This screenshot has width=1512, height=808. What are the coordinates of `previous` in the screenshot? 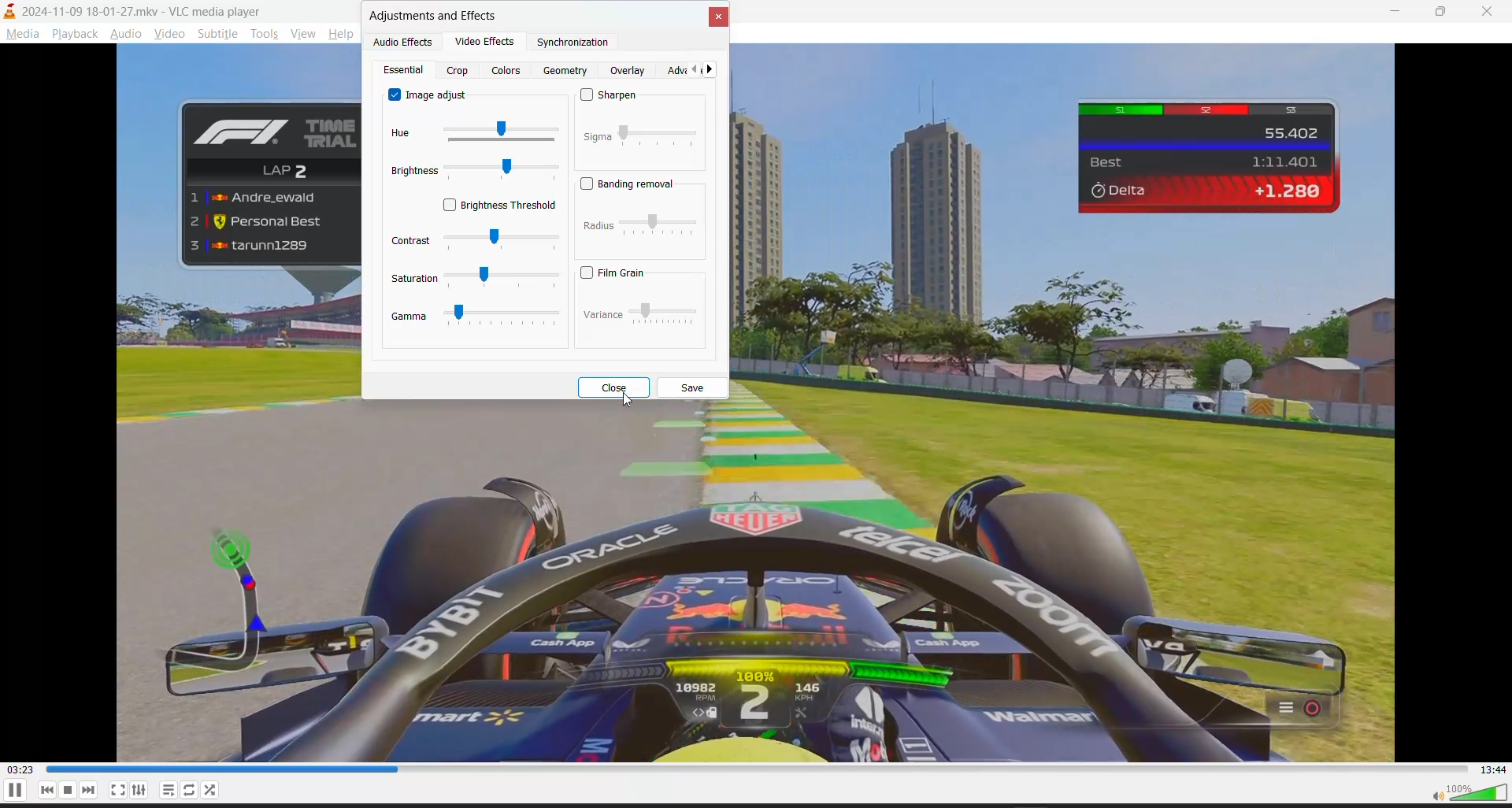 It's located at (690, 71).